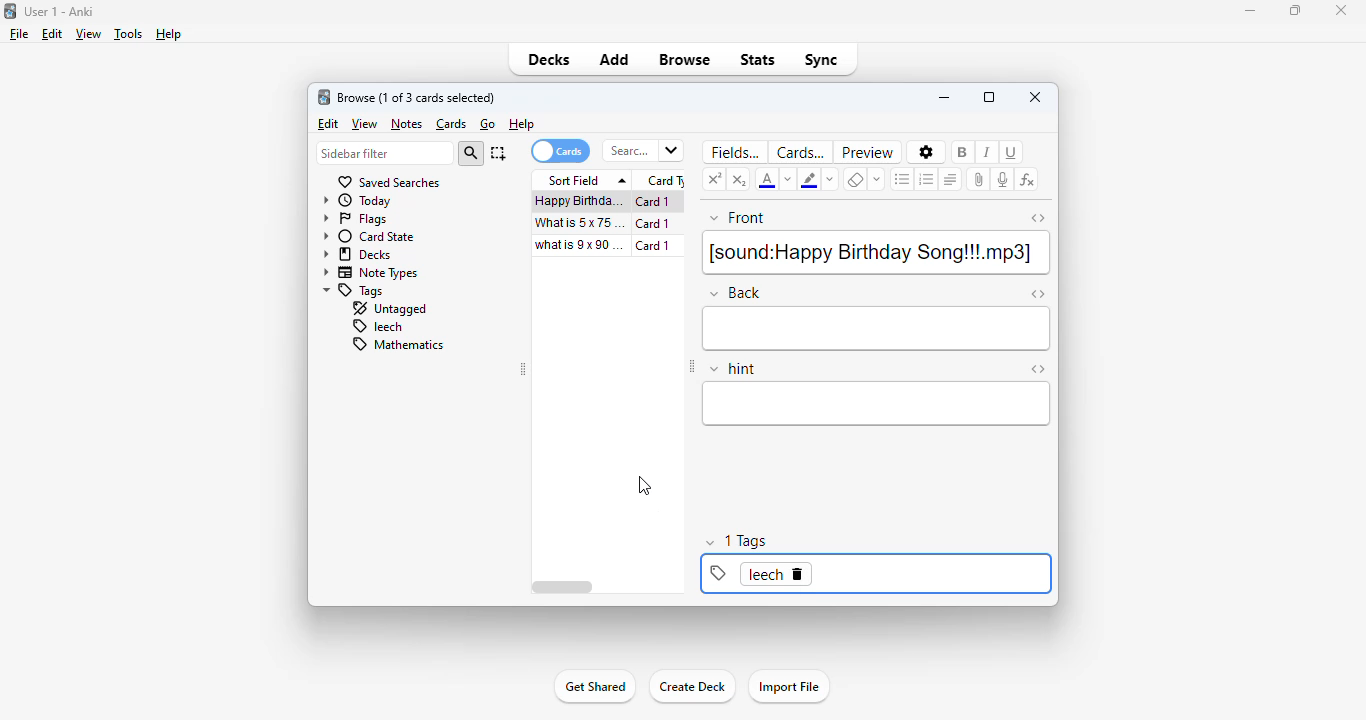  I want to click on underline, so click(1013, 152).